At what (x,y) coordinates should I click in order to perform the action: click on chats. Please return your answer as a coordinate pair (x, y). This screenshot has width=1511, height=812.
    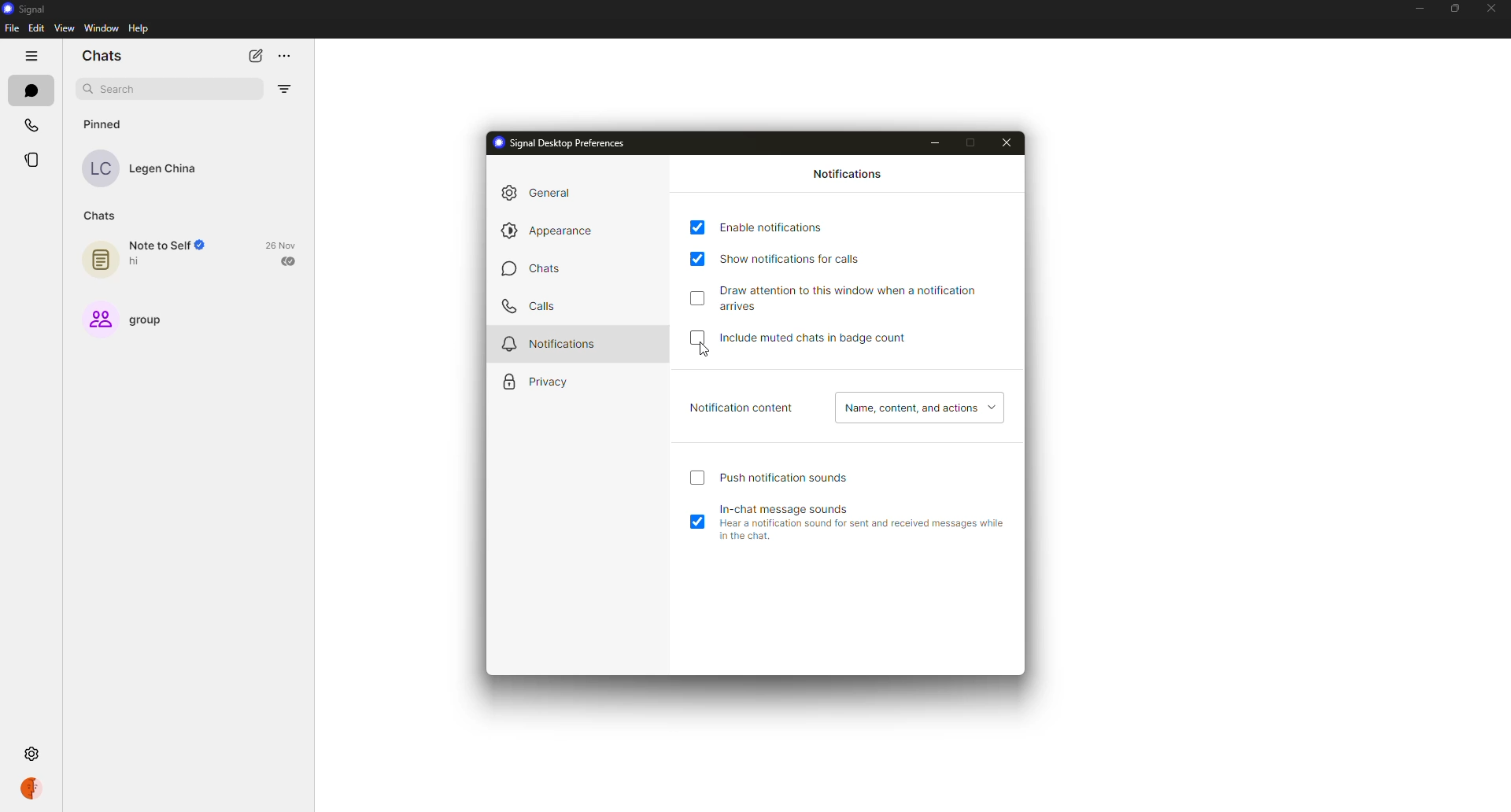
    Looking at the image, I should click on (530, 272).